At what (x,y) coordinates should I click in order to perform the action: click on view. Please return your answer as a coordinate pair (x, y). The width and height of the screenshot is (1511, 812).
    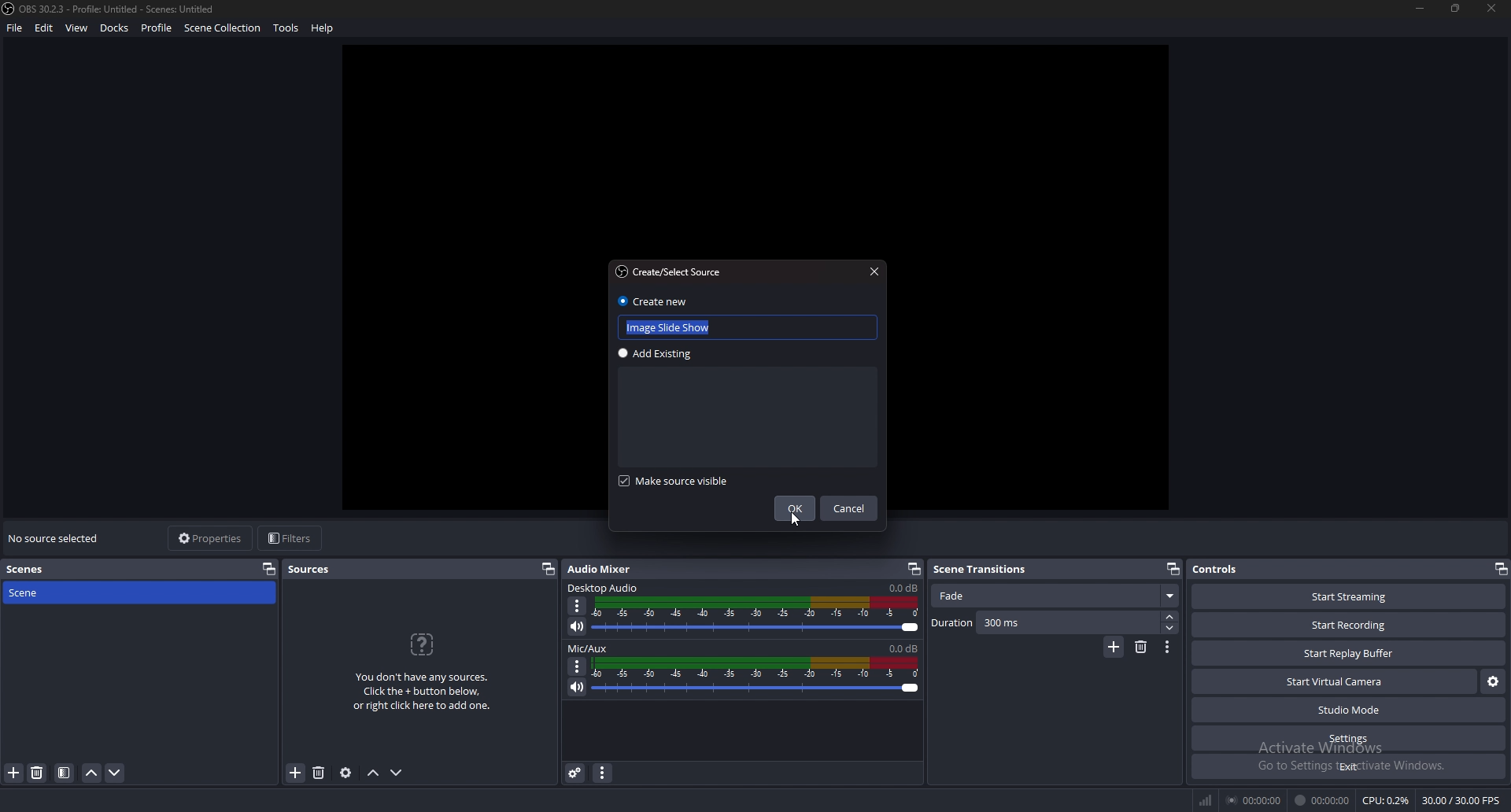
    Looking at the image, I should click on (77, 28).